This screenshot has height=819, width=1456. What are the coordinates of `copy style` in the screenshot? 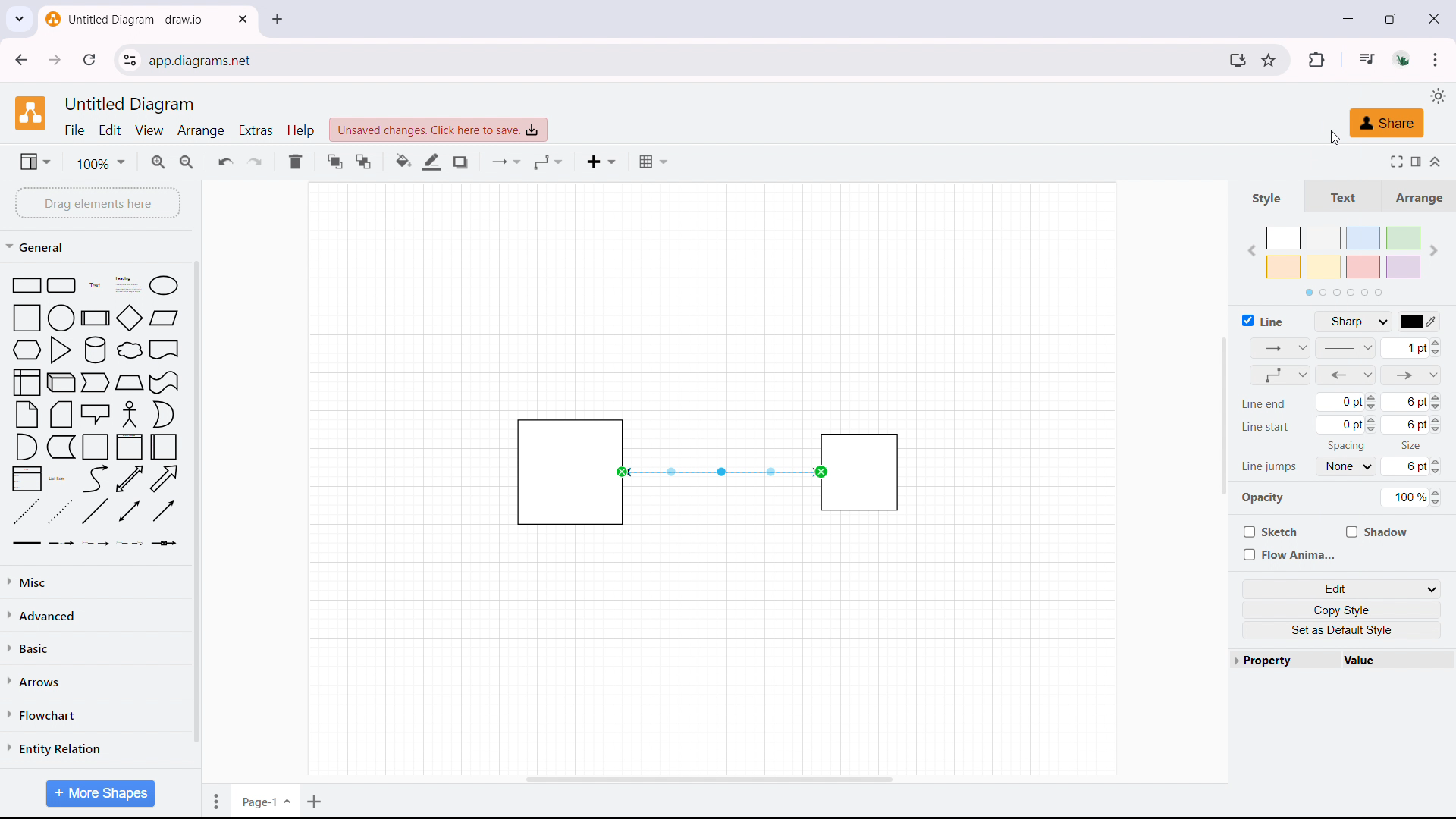 It's located at (1344, 609).